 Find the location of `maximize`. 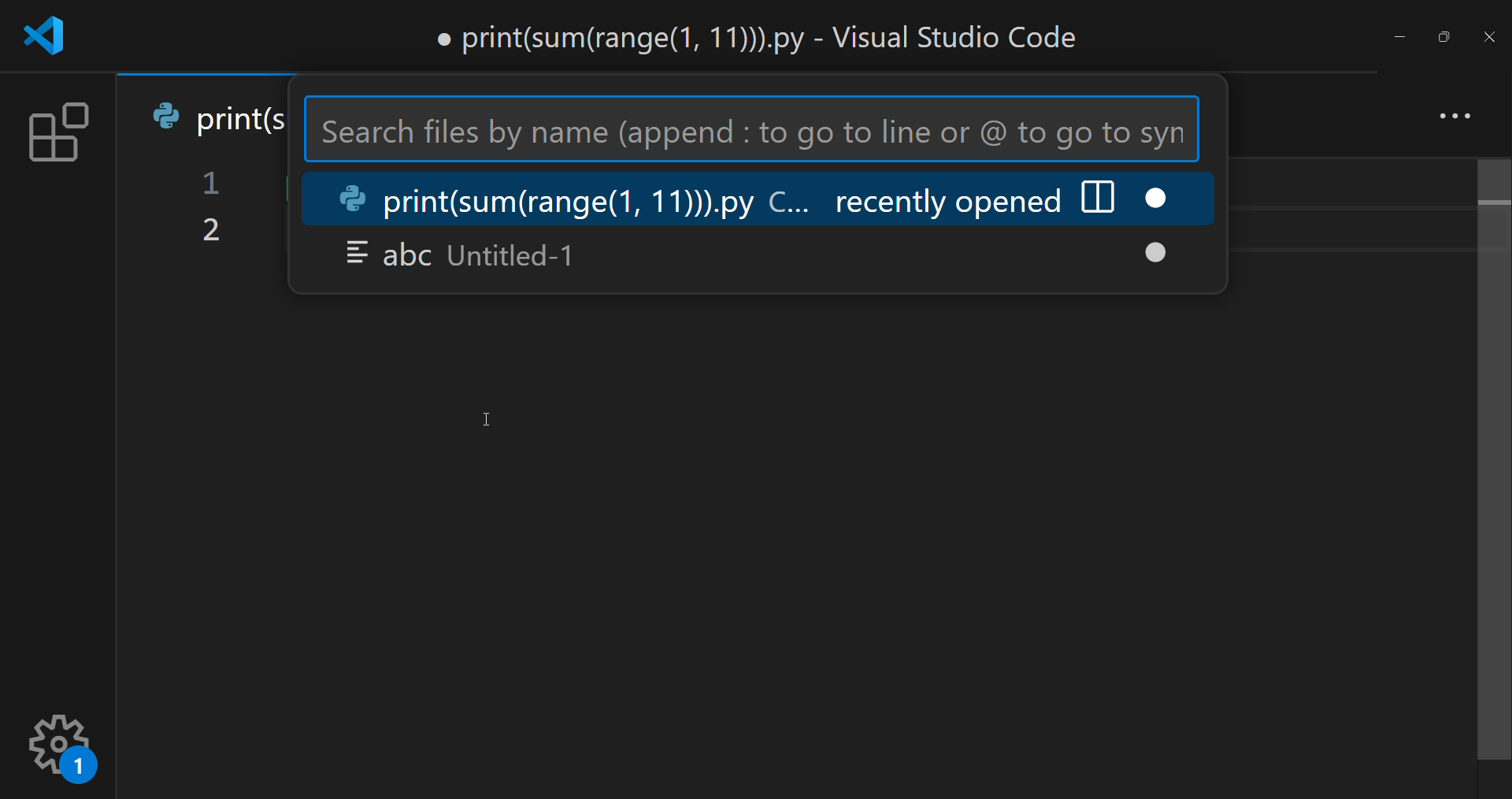

maximize is located at coordinates (1442, 36).